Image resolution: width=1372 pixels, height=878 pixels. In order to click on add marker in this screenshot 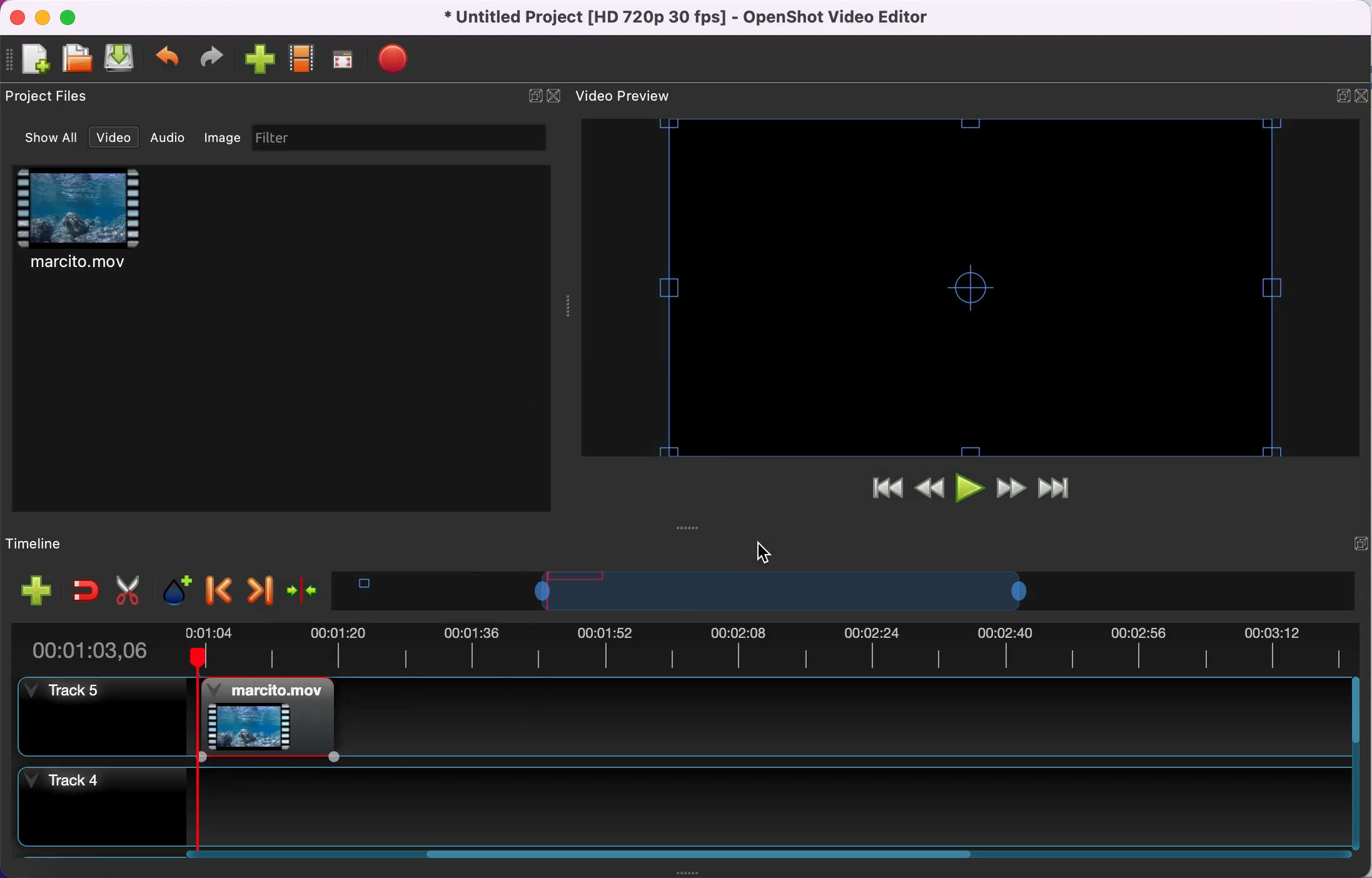, I will do `click(173, 590)`.